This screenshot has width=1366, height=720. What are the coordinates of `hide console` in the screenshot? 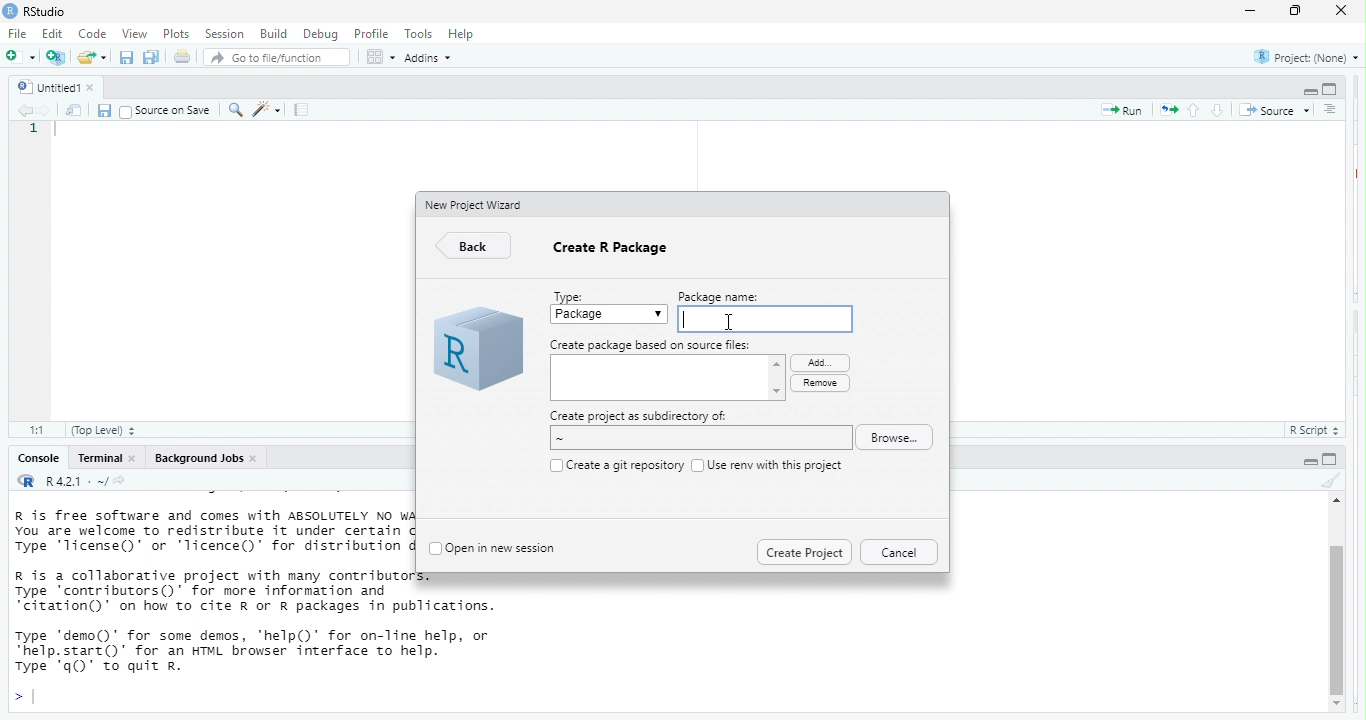 It's located at (1331, 88).